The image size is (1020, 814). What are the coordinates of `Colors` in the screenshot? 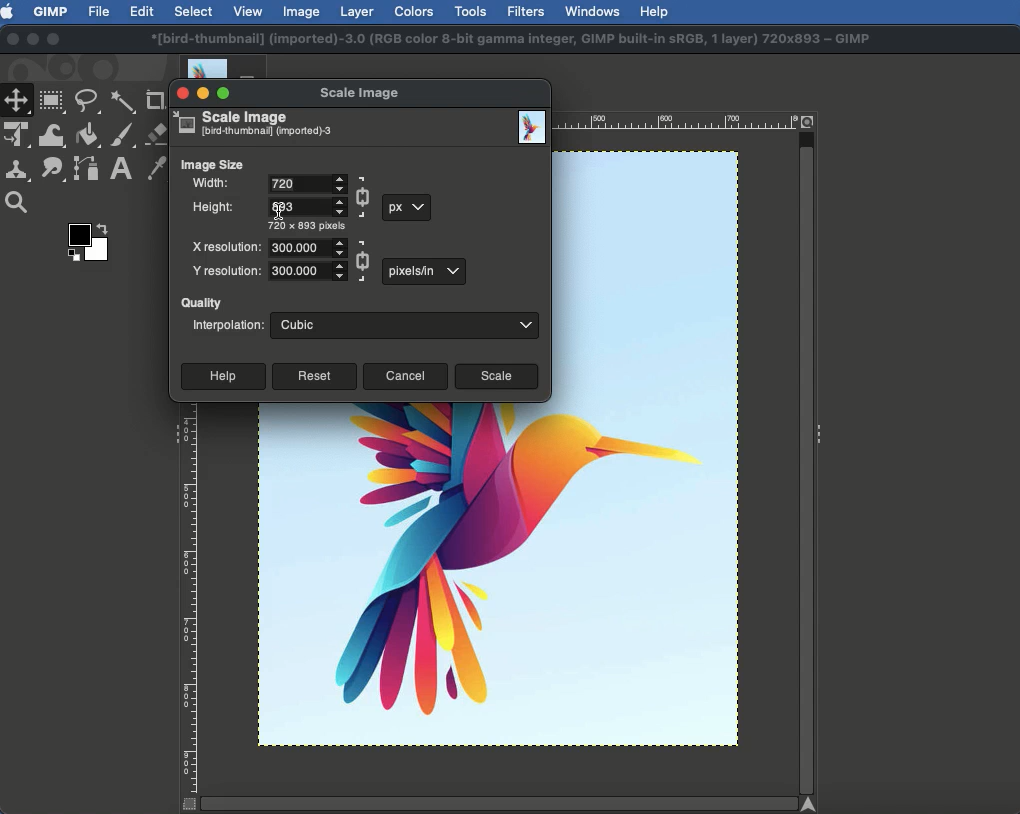 It's located at (413, 12).